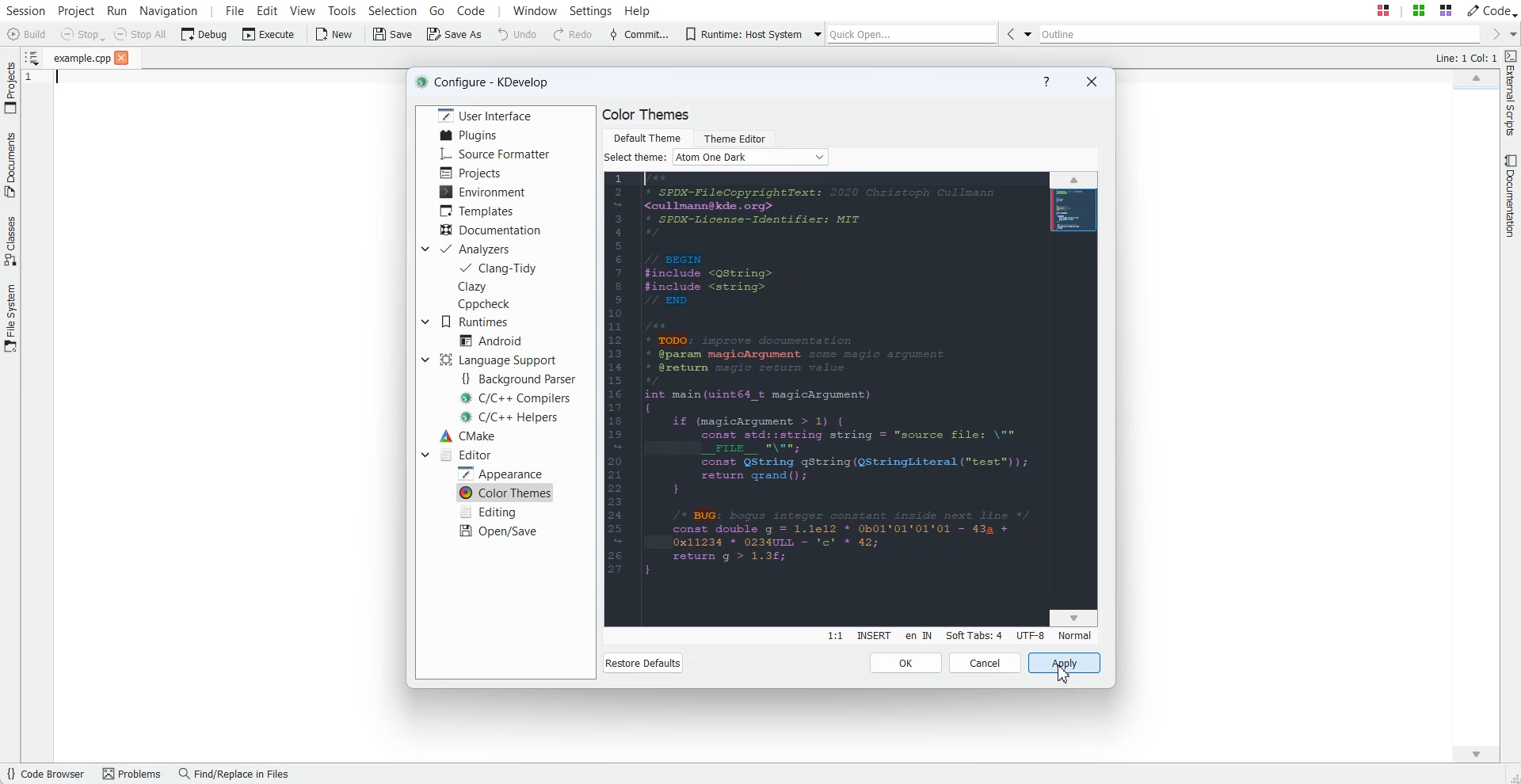 The width and height of the screenshot is (1521, 784). What do you see at coordinates (478, 249) in the screenshot?
I see `Analyzers` at bounding box center [478, 249].